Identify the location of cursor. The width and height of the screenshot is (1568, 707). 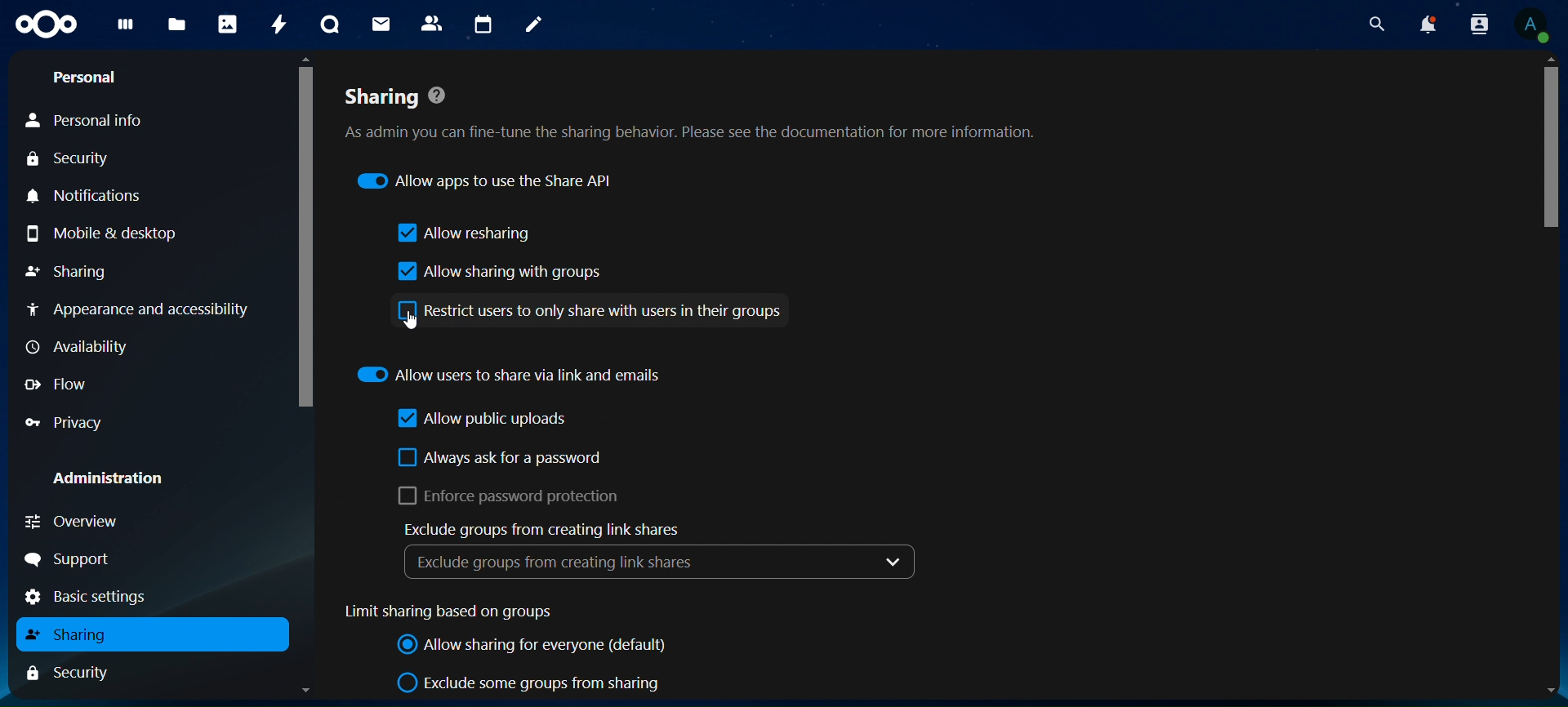
(410, 322).